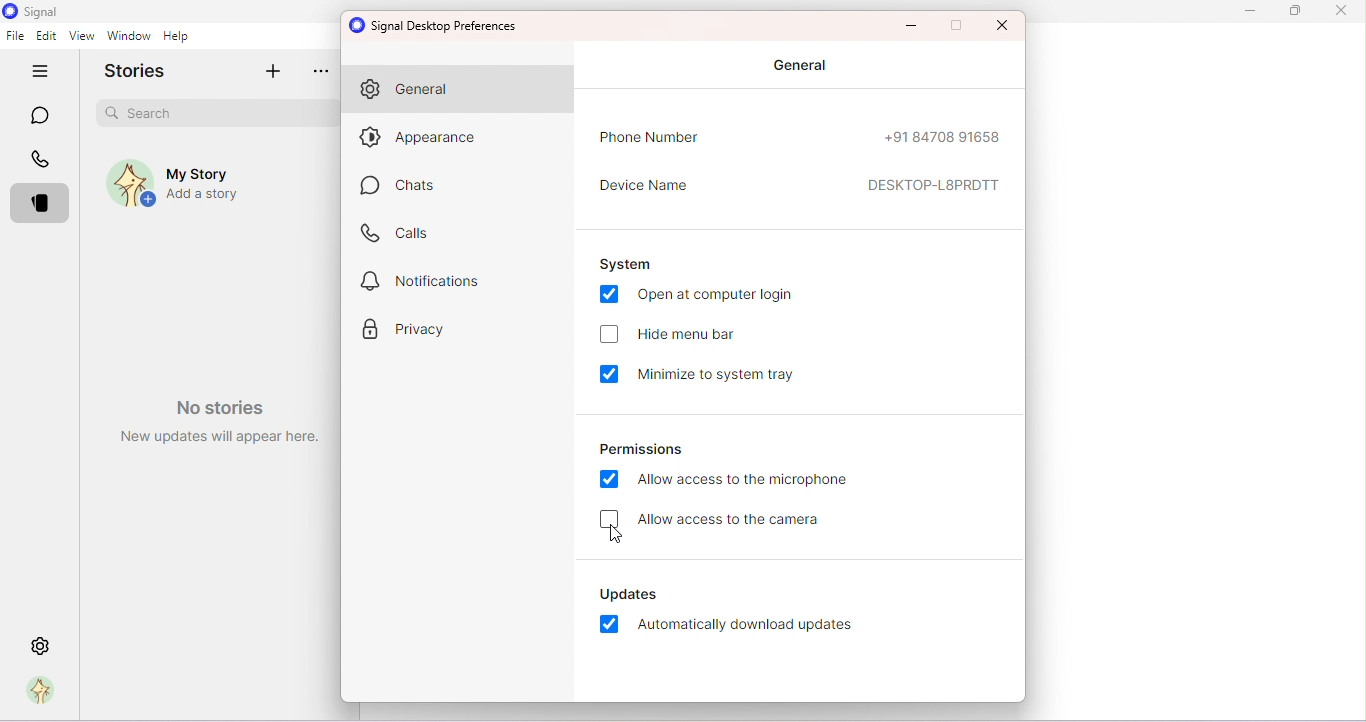 The height and width of the screenshot is (722, 1366). What do you see at coordinates (637, 591) in the screenshot?
I see `Updates` at bounding box center [637, 591].